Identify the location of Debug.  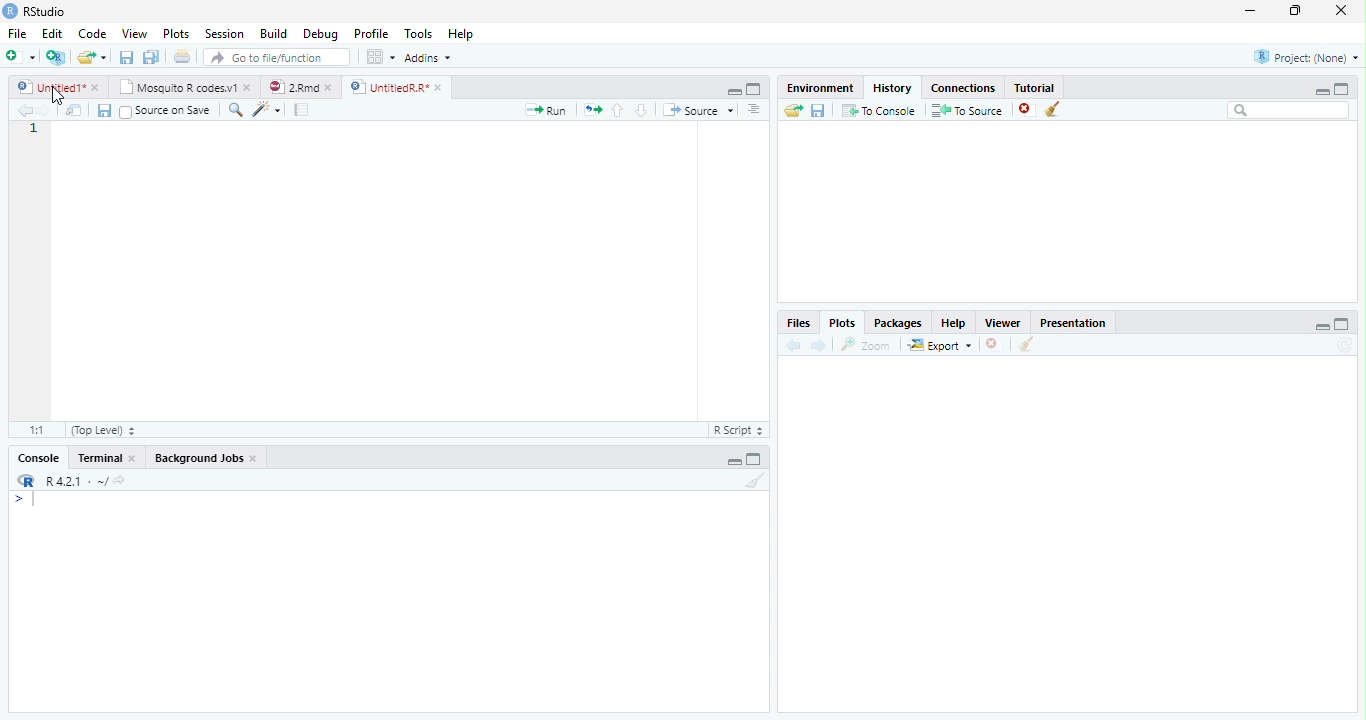
(320, 33).